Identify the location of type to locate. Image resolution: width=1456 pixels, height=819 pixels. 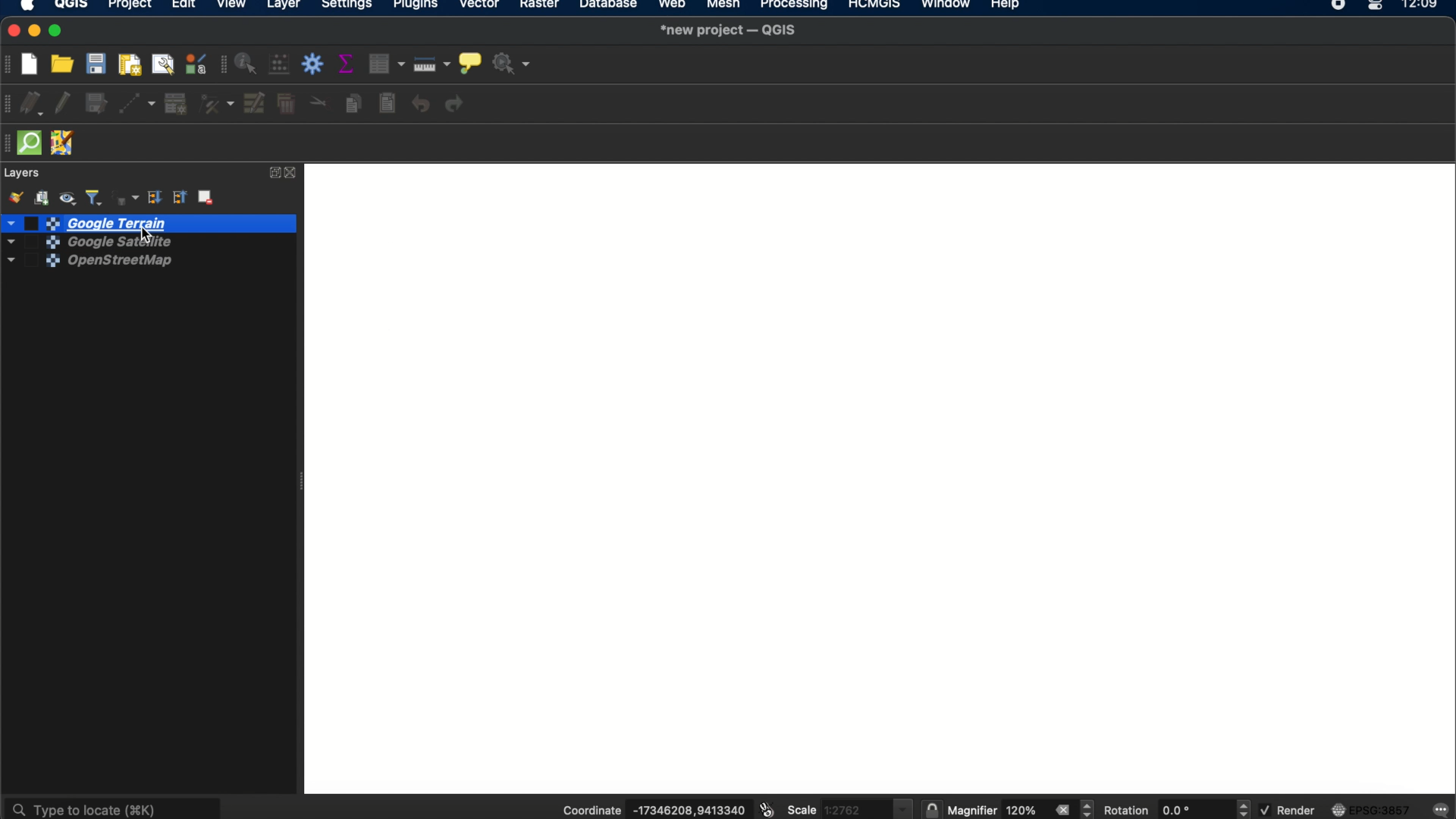
(115, 806).